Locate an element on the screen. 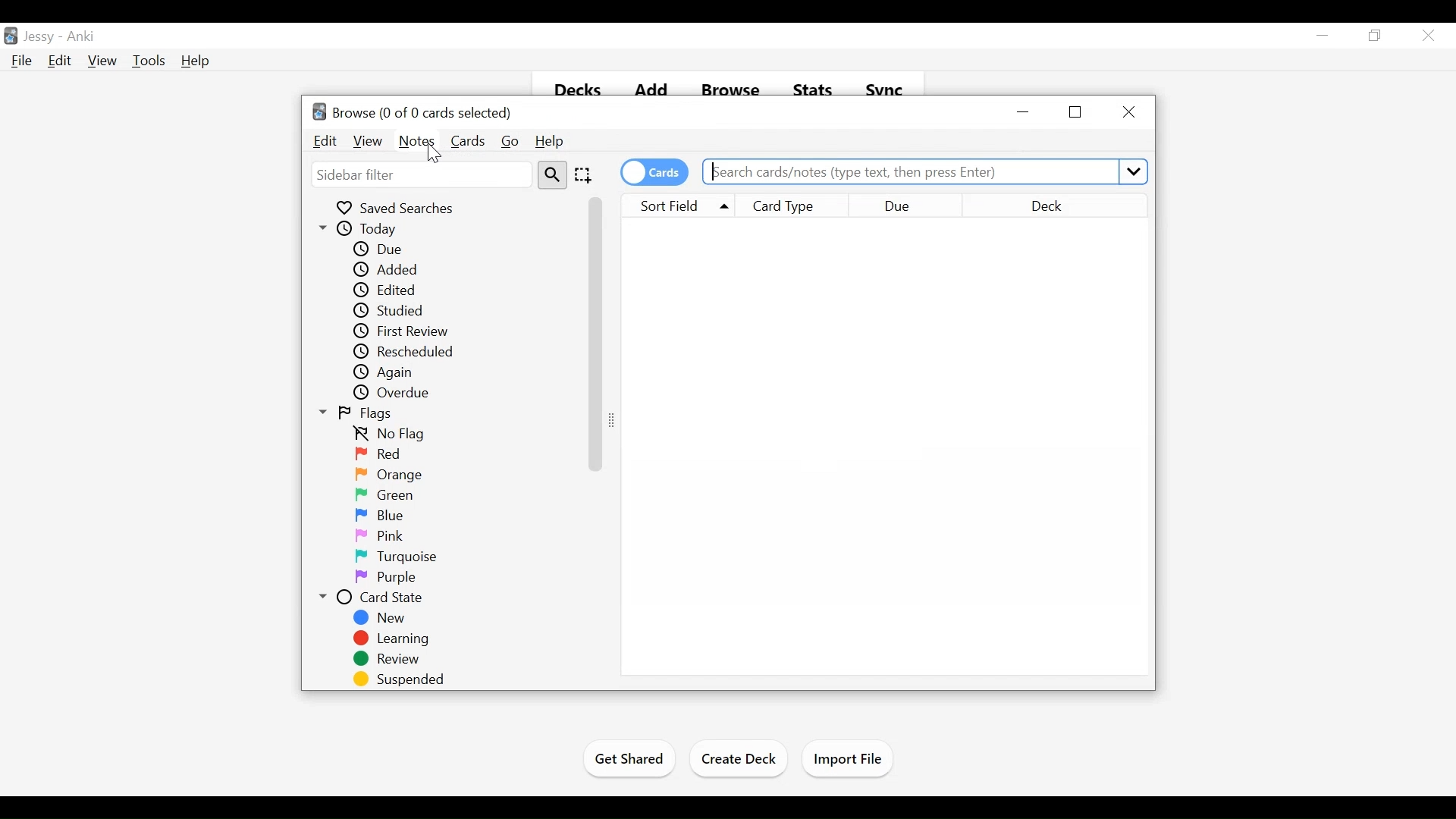 The image size is (1456, 819). Vertical Scroll bar is located at coordinates (597, 335).